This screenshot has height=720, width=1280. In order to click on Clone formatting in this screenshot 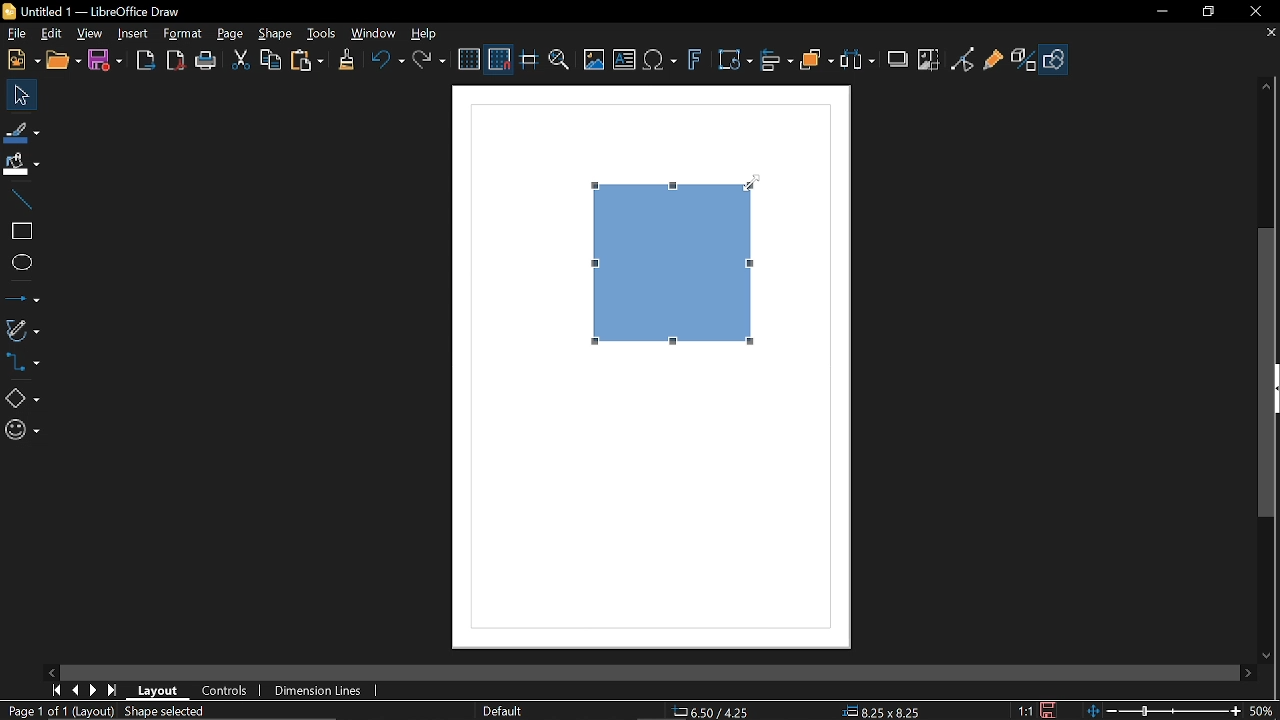, I will do `click(346, 60)`.